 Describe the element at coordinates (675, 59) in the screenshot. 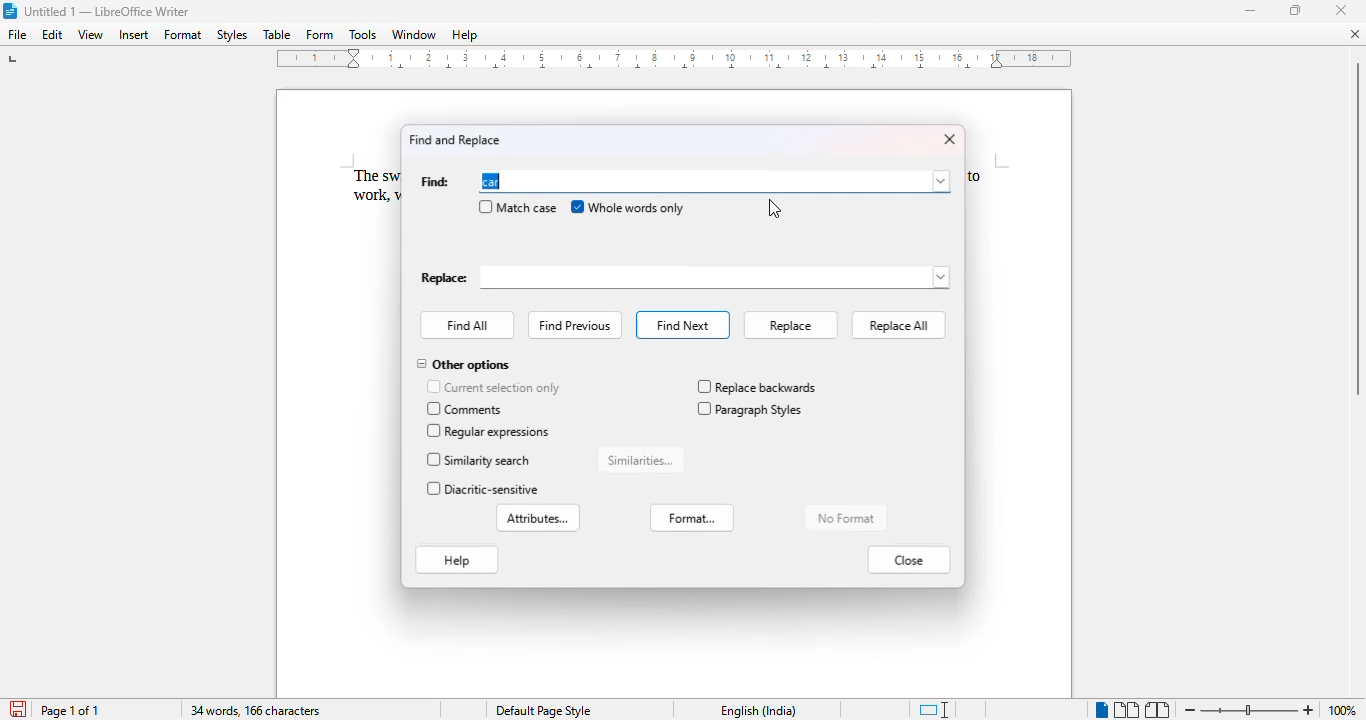

I see `ruler` at that location.